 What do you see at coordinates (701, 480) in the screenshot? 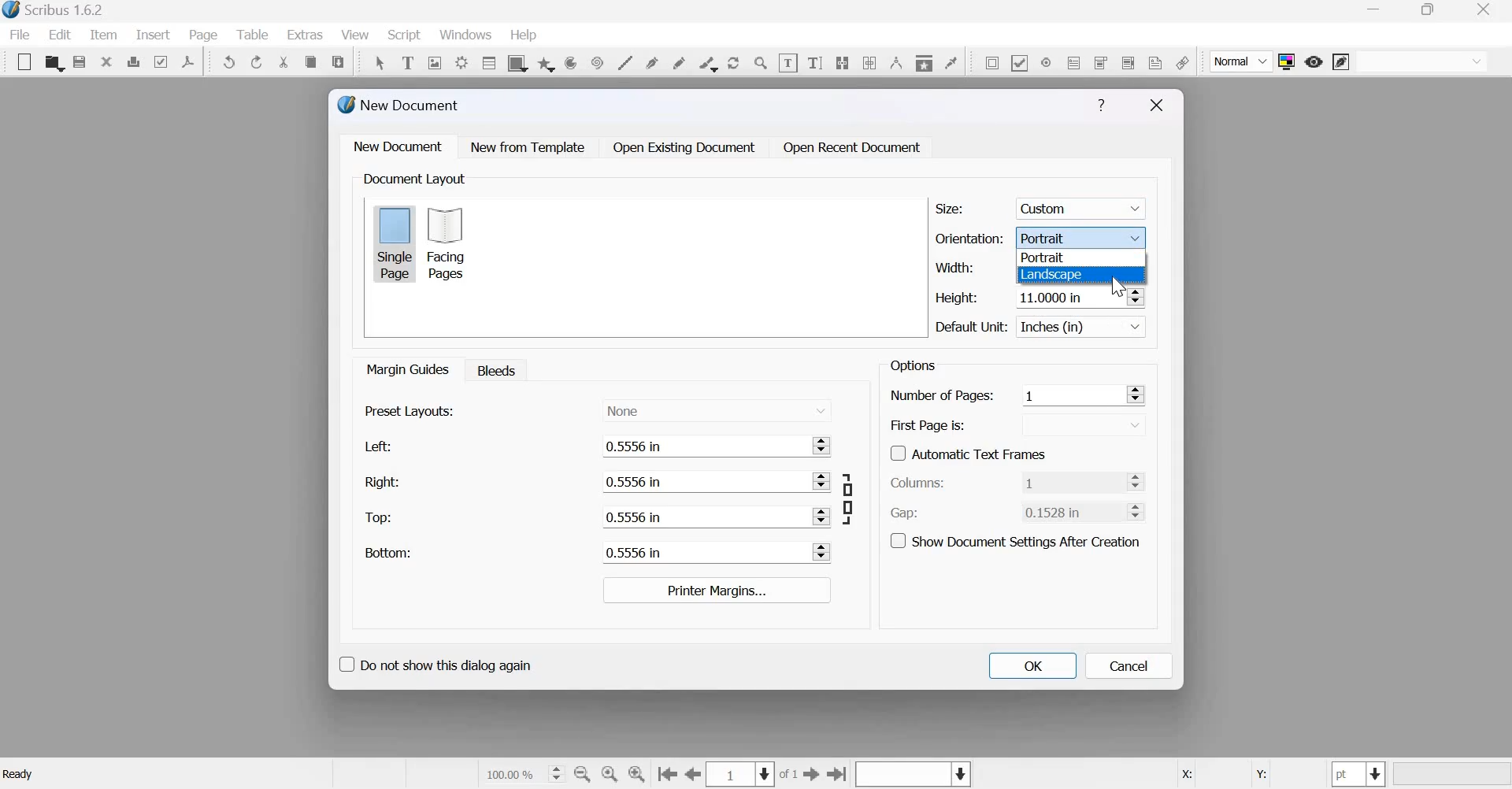
I see `0.5556 in` at bounding box center [701, 480].